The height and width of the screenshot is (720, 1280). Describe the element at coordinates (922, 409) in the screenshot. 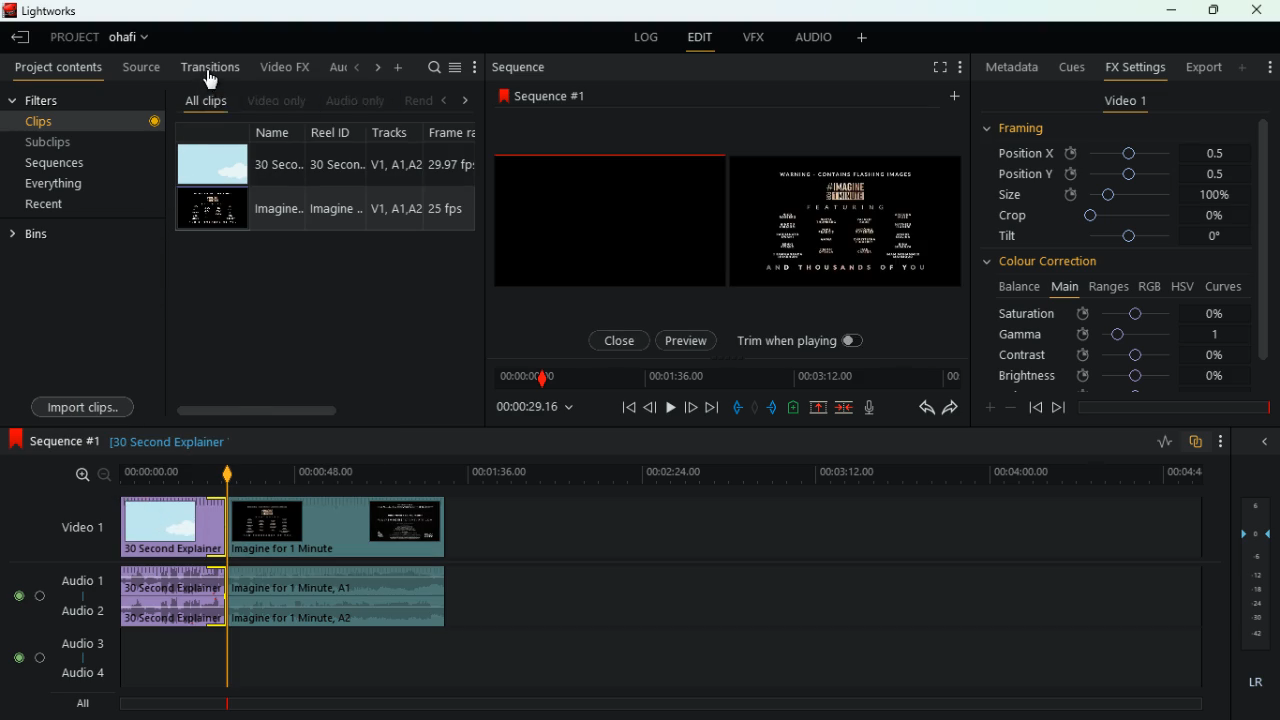

I see `back` at that location.